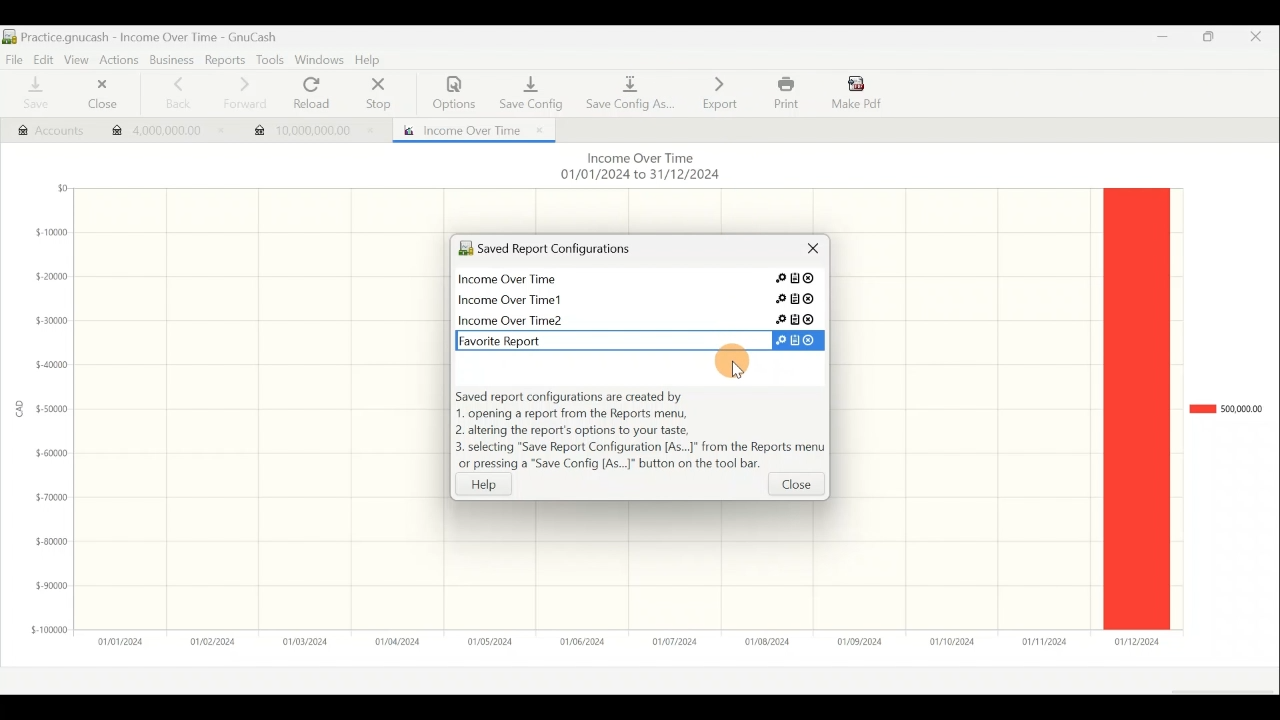  What do you see at coordinates (172, 61) in the screenshot?
I see `Business` at bounding box center [172, 61].